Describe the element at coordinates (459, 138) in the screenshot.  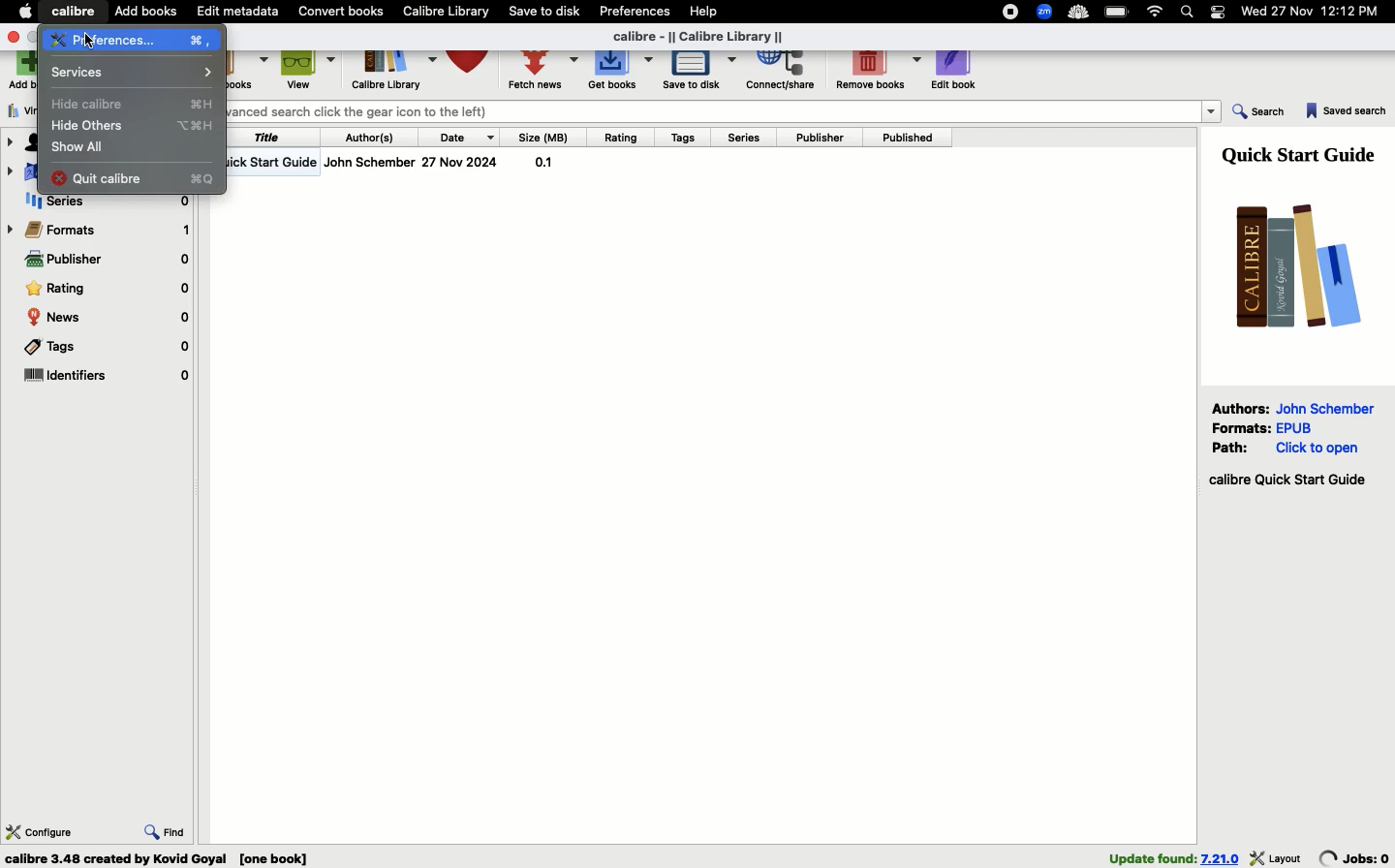
I see `Date` at that location.